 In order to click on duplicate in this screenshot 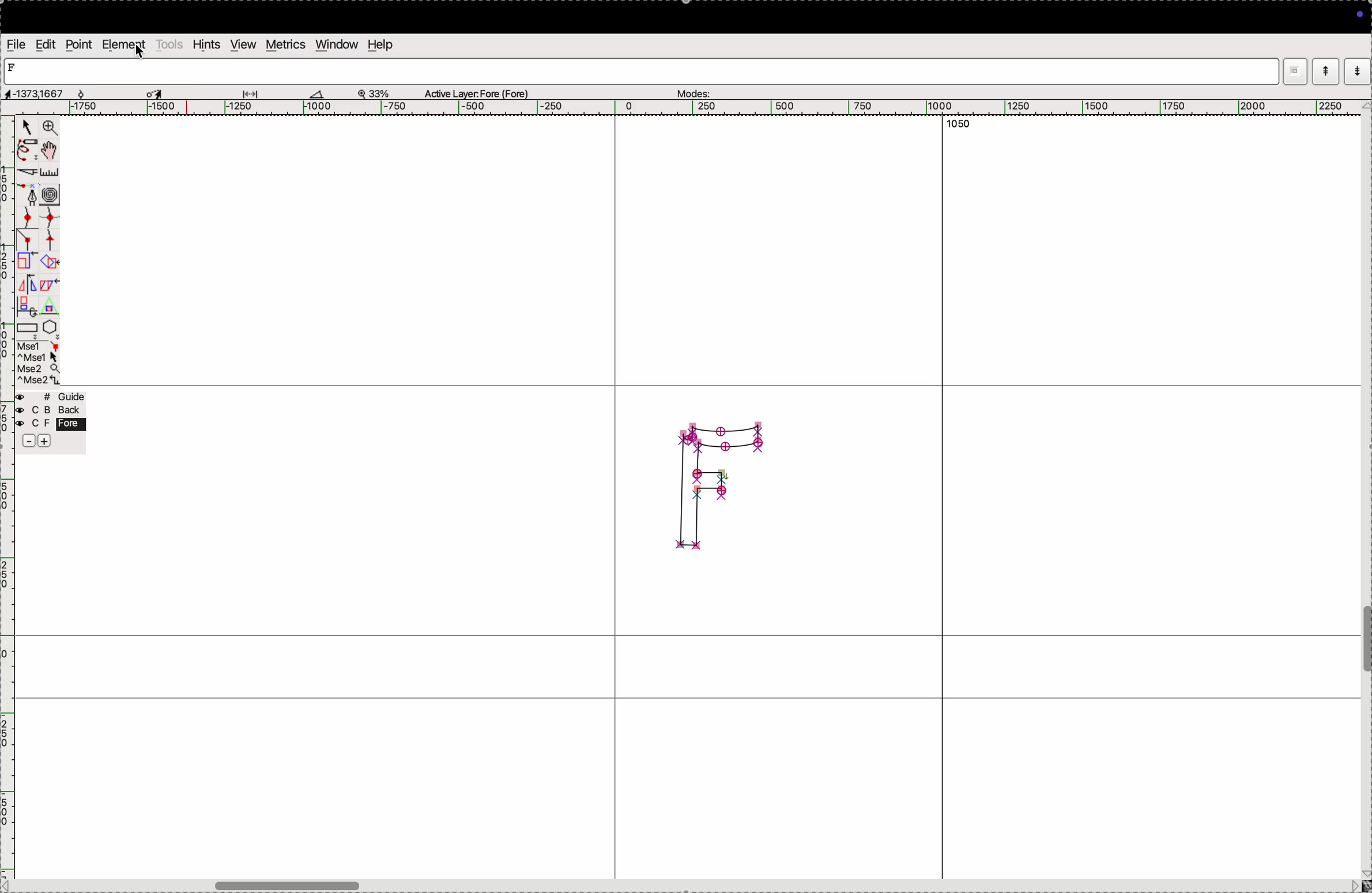, I will do `click(24, 307)`.